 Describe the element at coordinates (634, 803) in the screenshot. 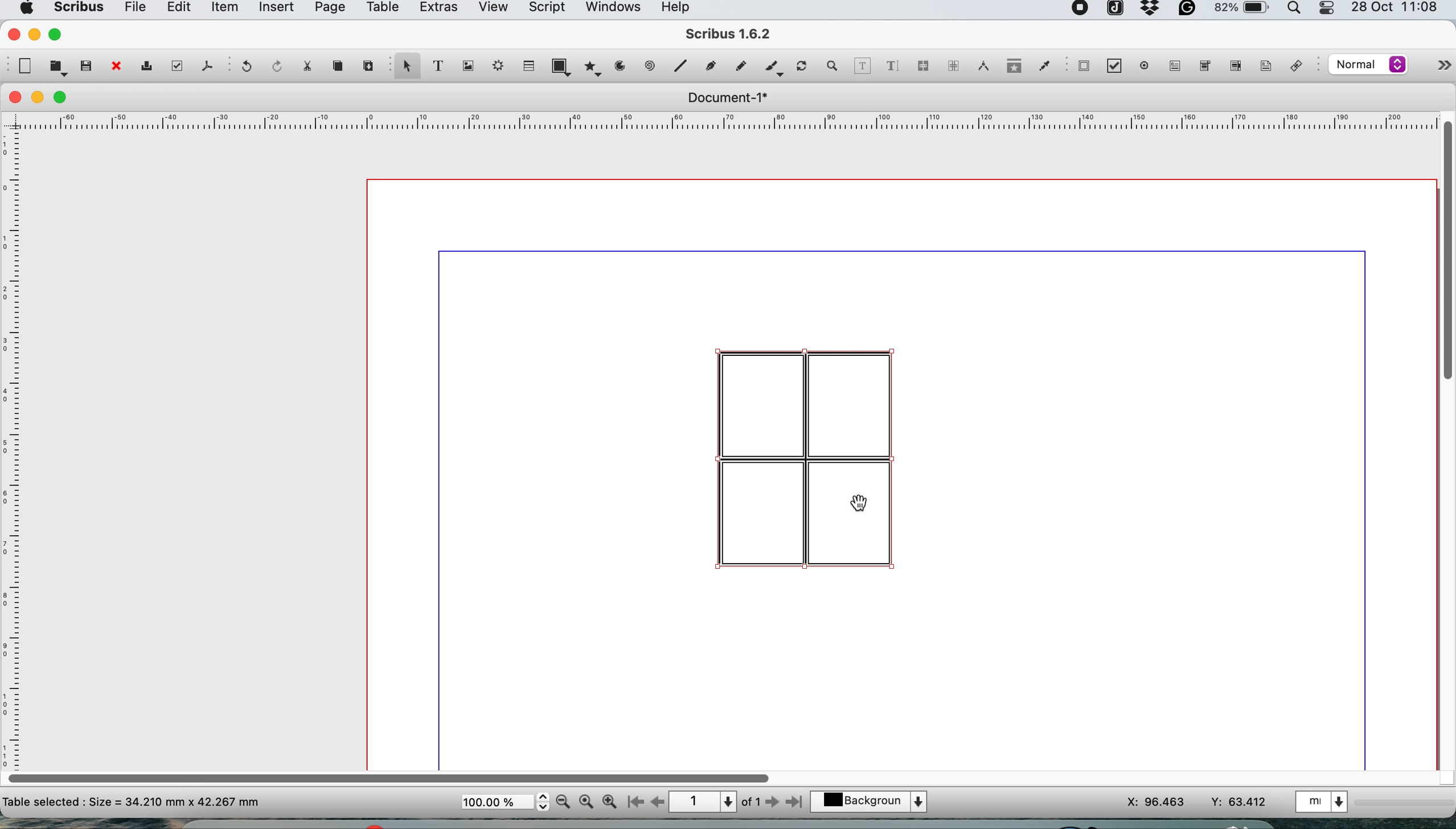

I see `go to first page` at that location.